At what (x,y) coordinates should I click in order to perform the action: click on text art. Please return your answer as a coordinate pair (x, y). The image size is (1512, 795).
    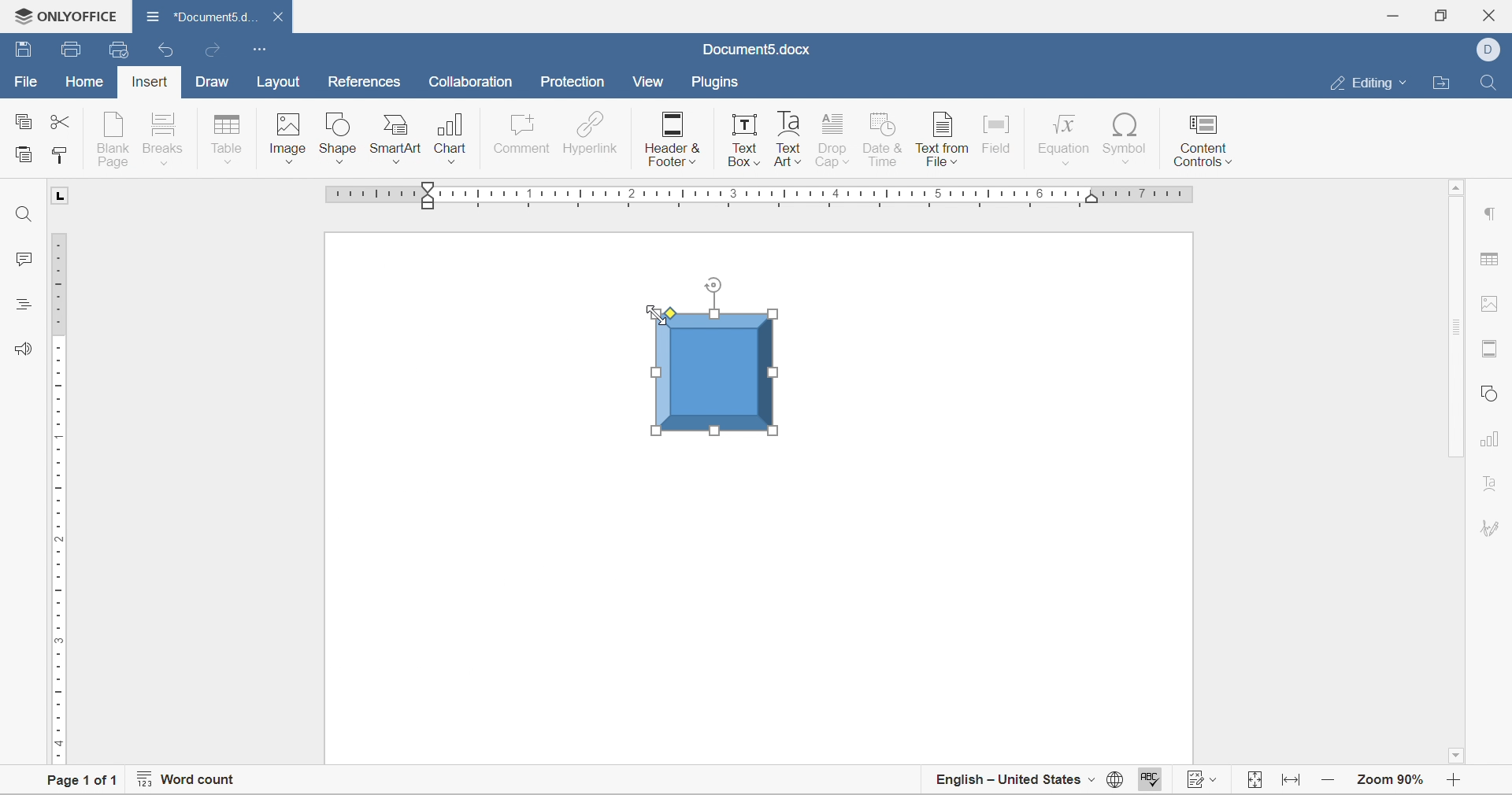
    Looking at the image, I should click on (787, 139).